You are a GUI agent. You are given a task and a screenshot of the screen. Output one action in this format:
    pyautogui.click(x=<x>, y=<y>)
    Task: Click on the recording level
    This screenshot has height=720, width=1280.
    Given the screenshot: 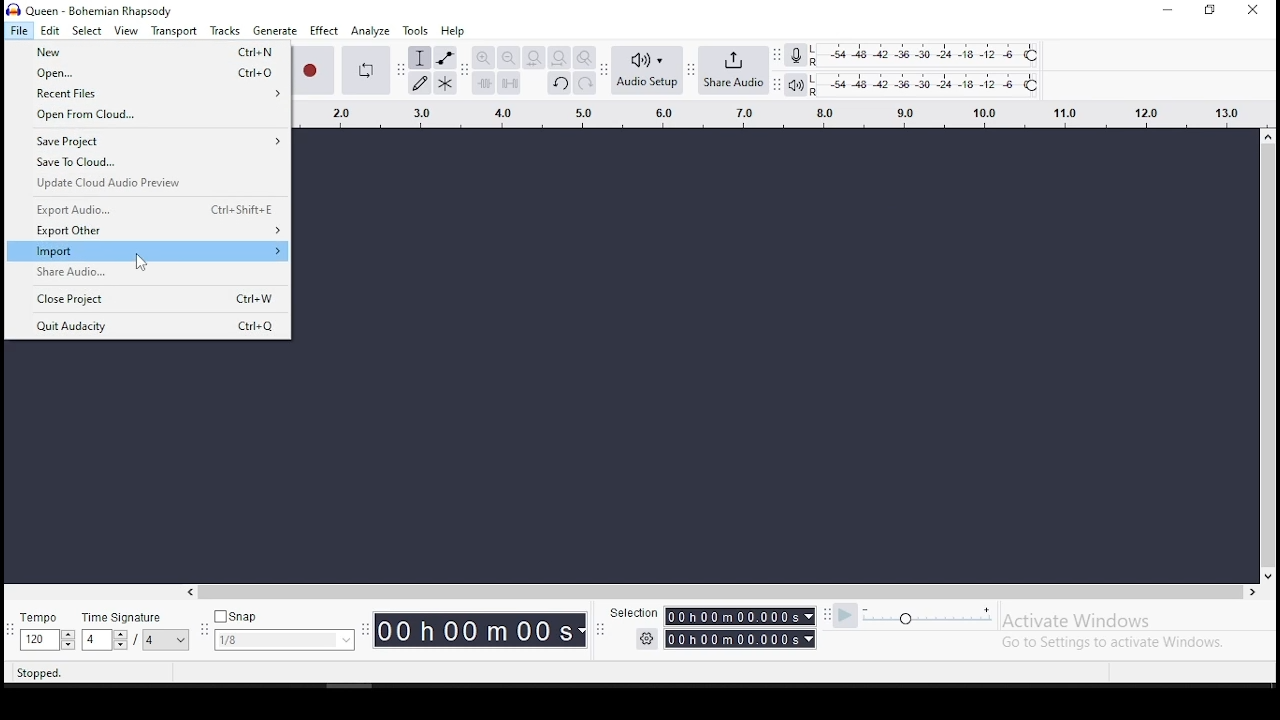 What is the action you would take?
    pyautogui.click(x=796, y=54)
    